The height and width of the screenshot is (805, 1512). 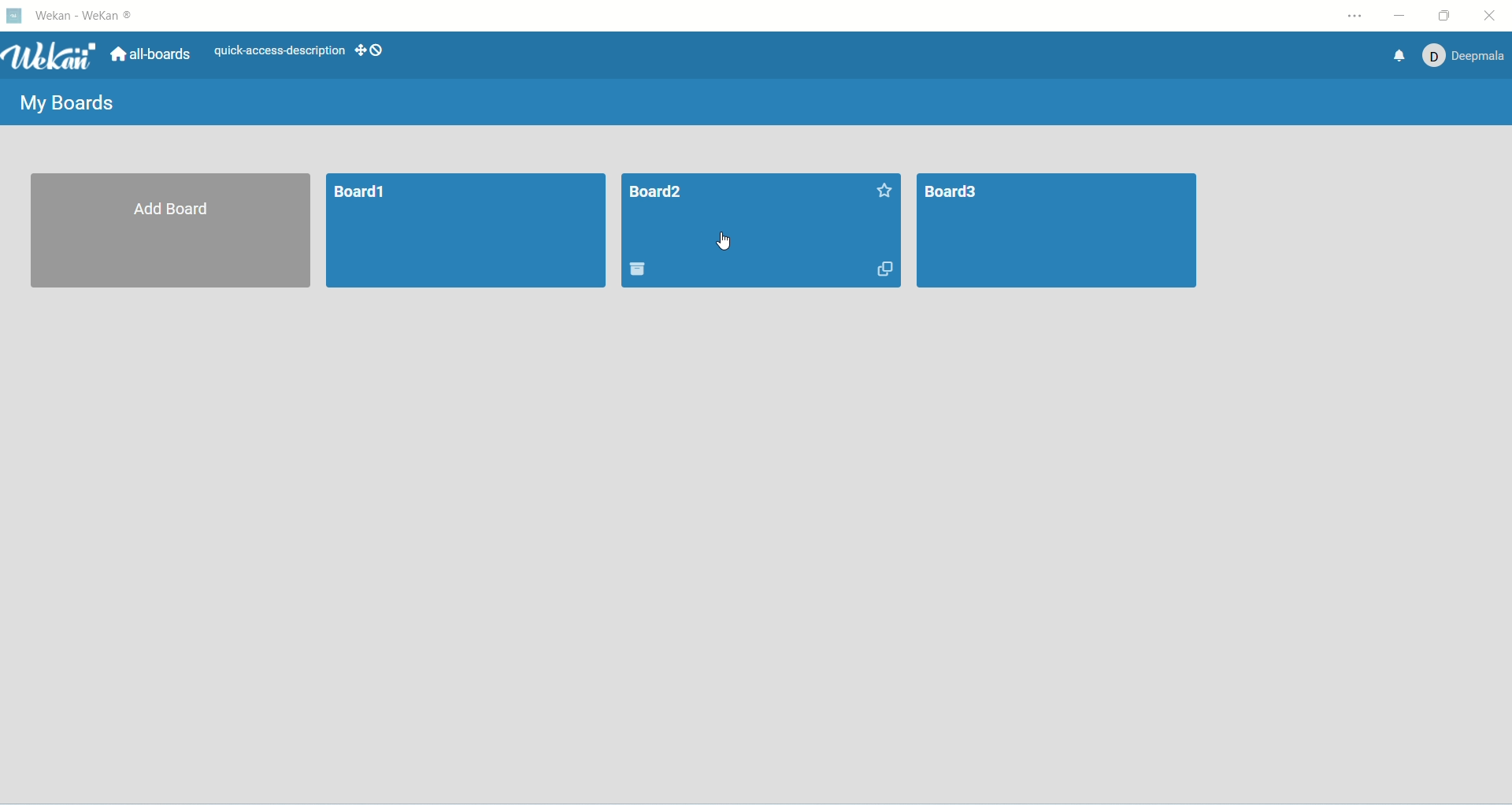 I want to click on board title, so click(x=658, y=190).